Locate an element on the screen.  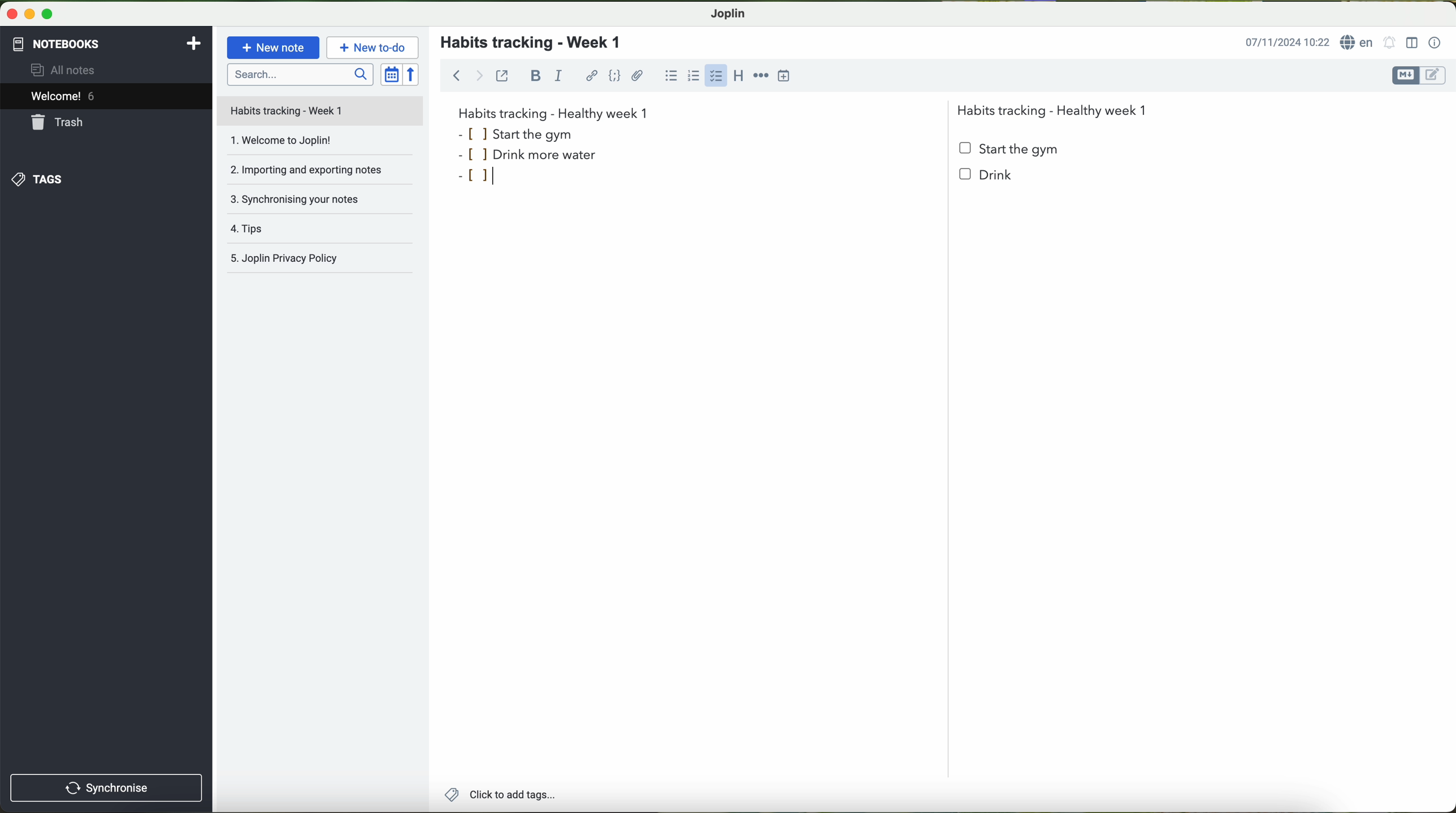
back is located at coordinates (453, 74).